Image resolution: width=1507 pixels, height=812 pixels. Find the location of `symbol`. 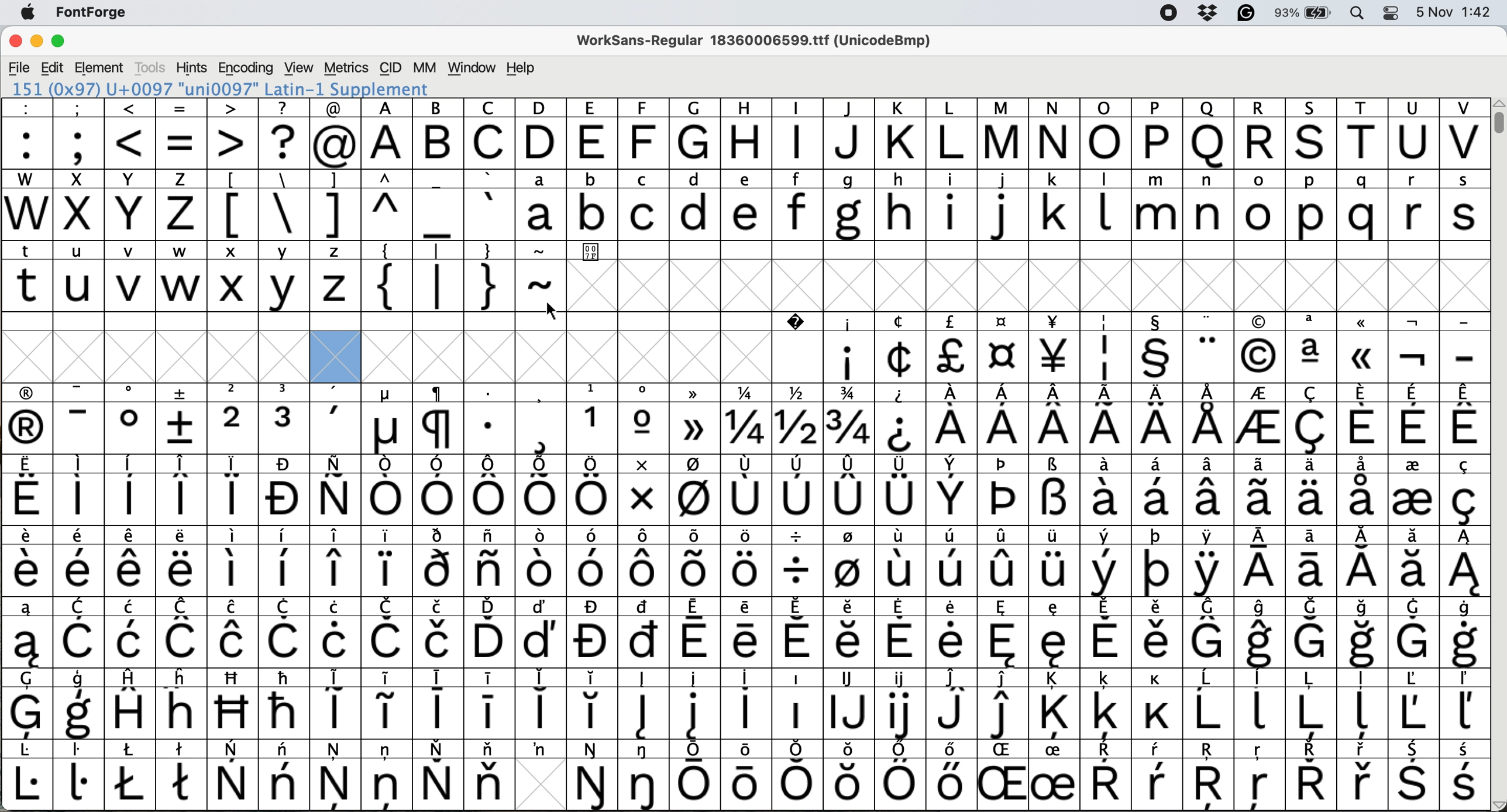

symbol is located at coordinates (748, 704).